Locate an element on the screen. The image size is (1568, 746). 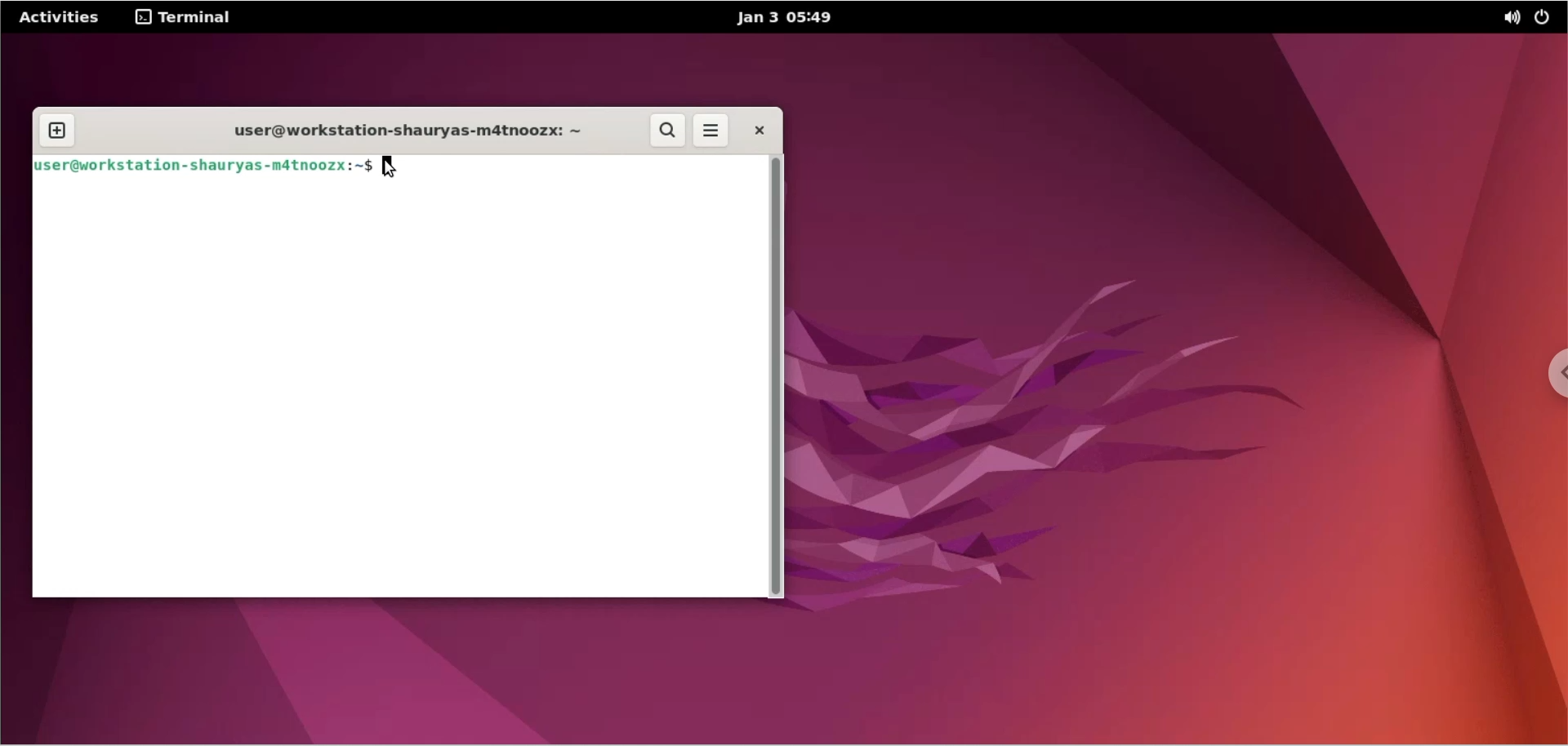
sound options is located at coordinates (1508, 20).